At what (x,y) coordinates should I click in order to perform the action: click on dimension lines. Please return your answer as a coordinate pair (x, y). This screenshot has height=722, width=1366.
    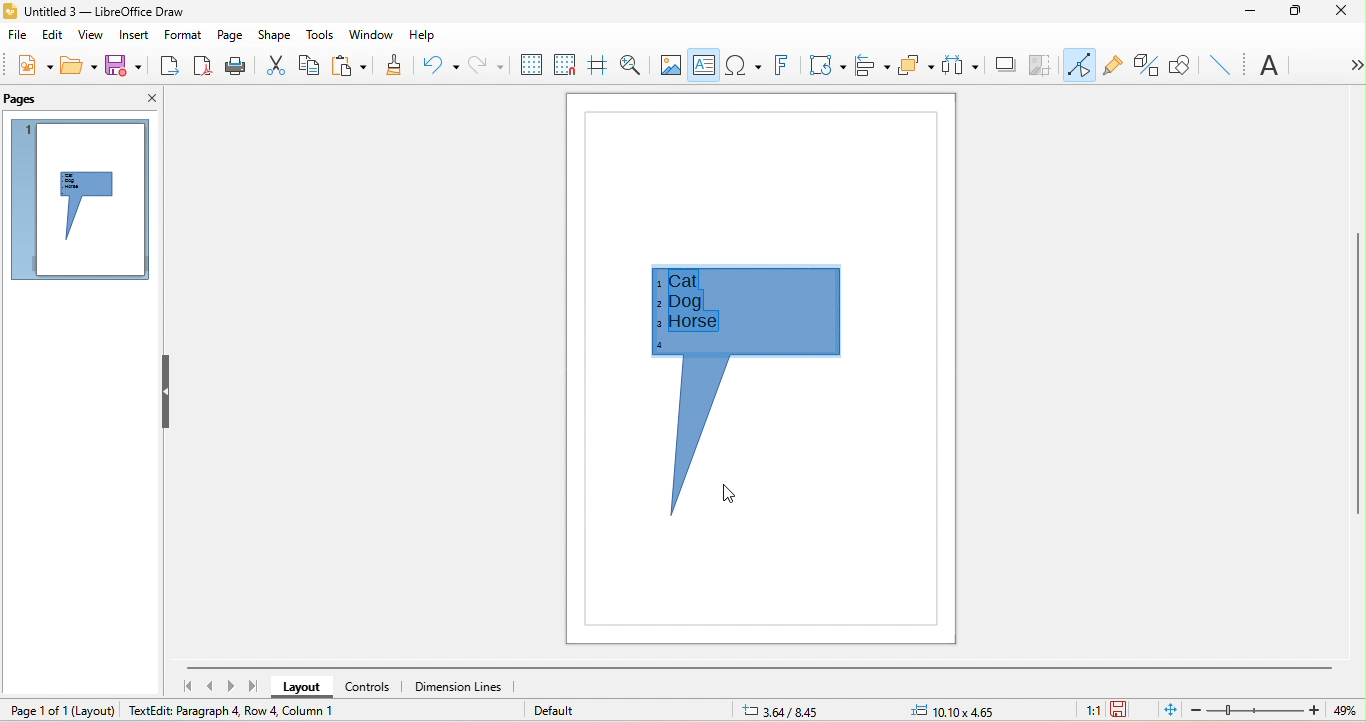
    Looking at the image, I should click on (466, 690).